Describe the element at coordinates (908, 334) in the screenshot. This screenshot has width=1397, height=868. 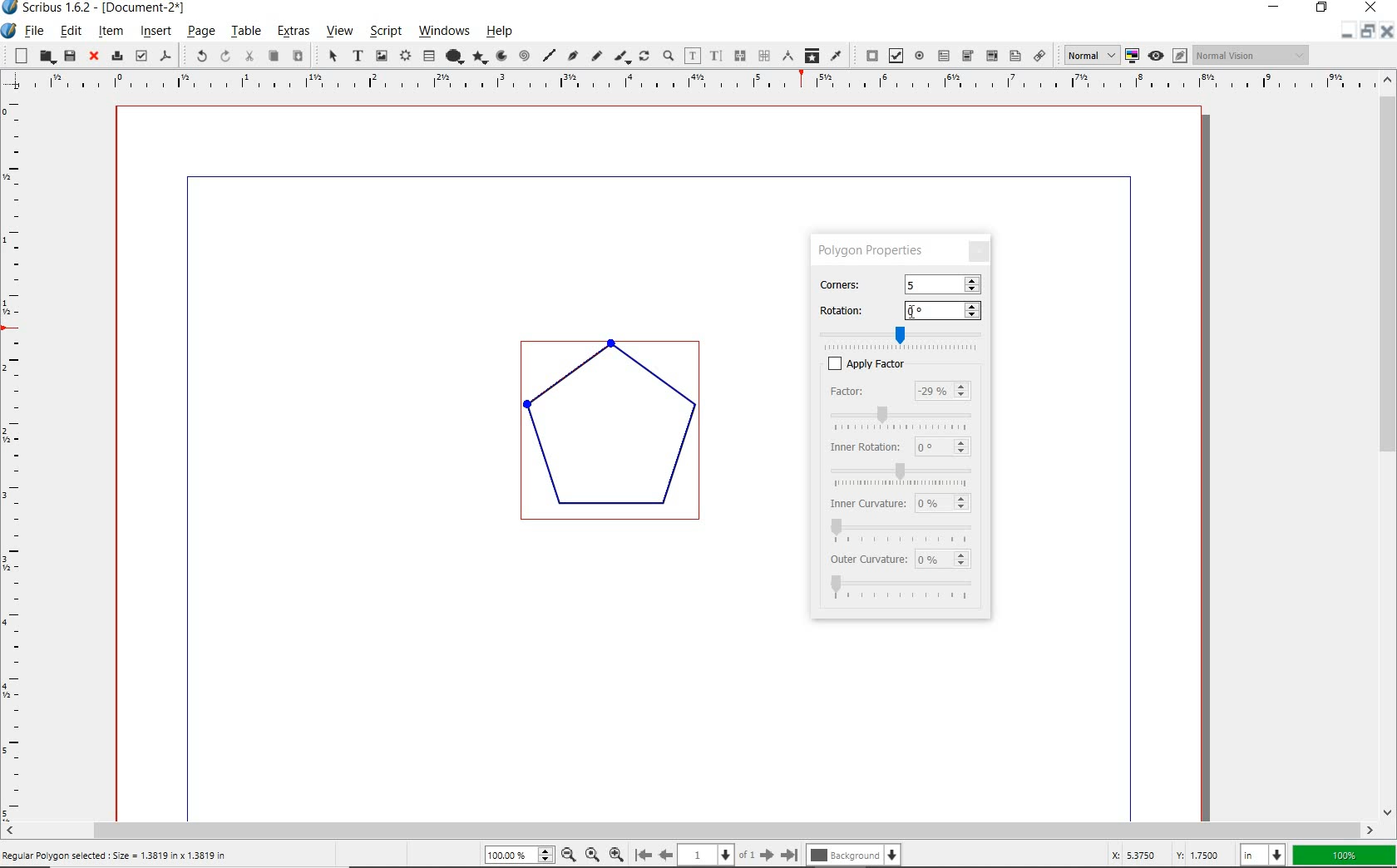
I see `slider rotate` at that location.